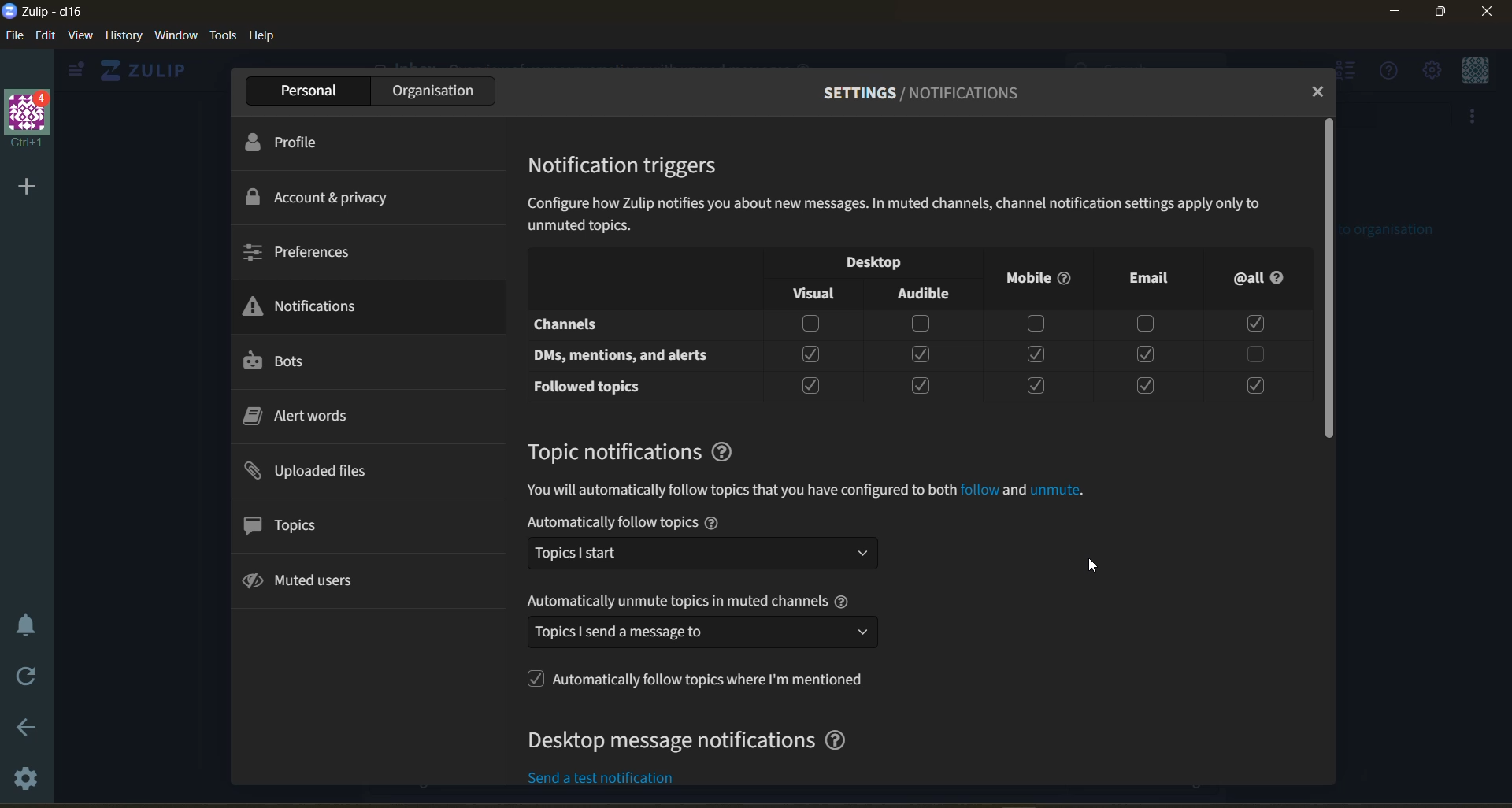 The image size is (1512, 808). Describe the element at coordinates (1390, 72) in the screenshot. I see `help menu` at that location.